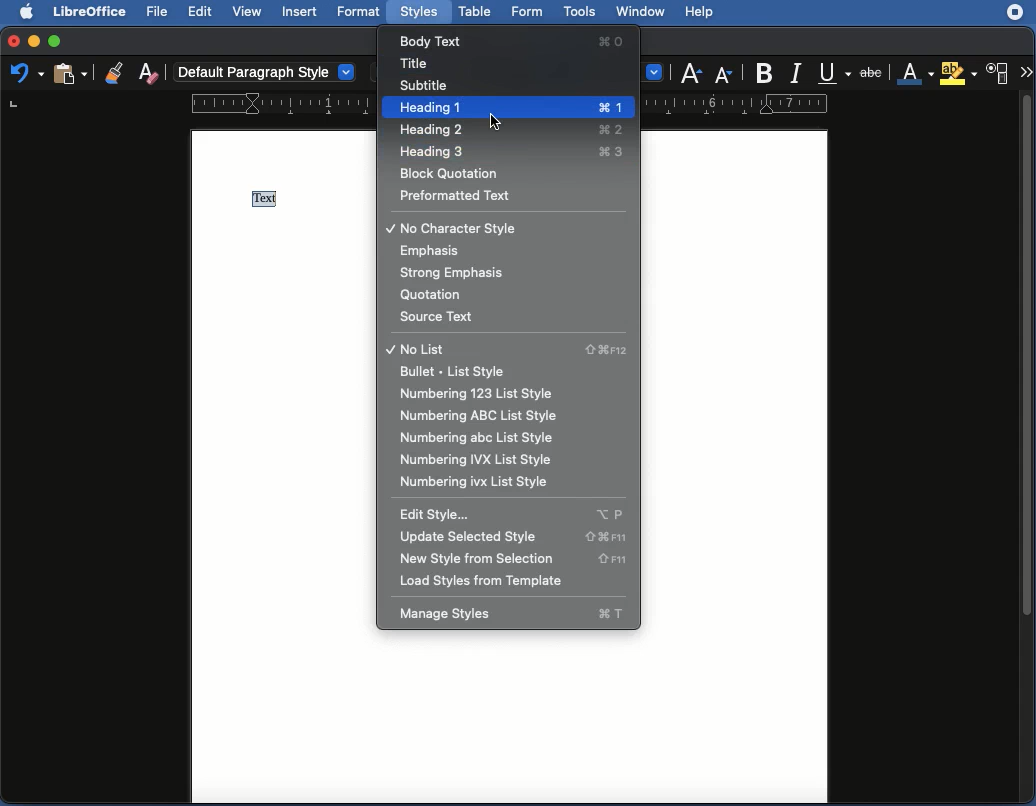 The image size is (1036, 806). I want to click on Bullet life style, so click(456, 370).